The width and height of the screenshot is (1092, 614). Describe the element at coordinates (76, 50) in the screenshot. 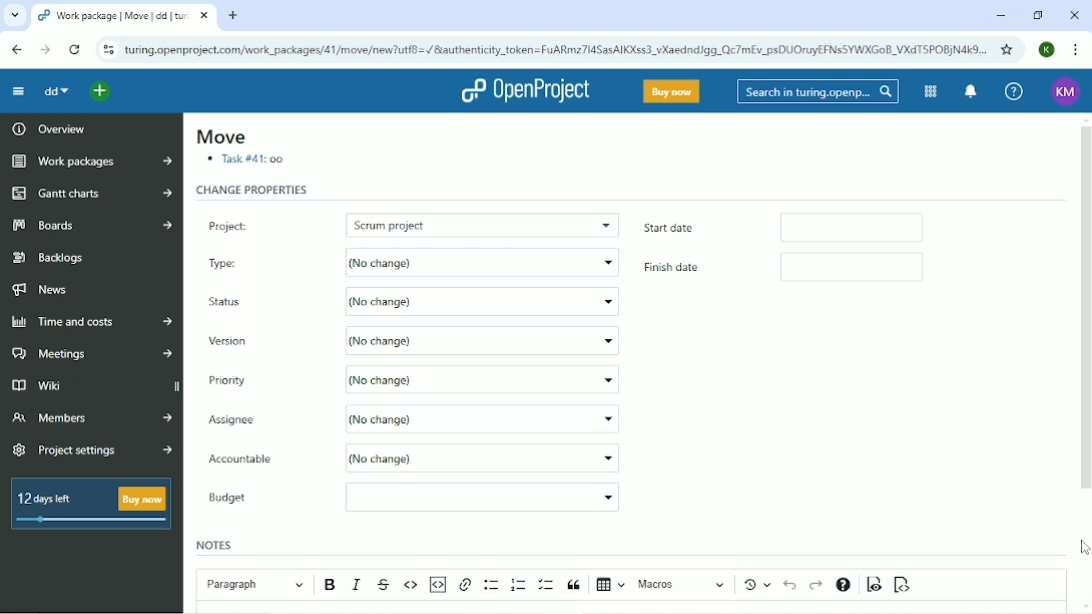

I see `reload this page` at that location.